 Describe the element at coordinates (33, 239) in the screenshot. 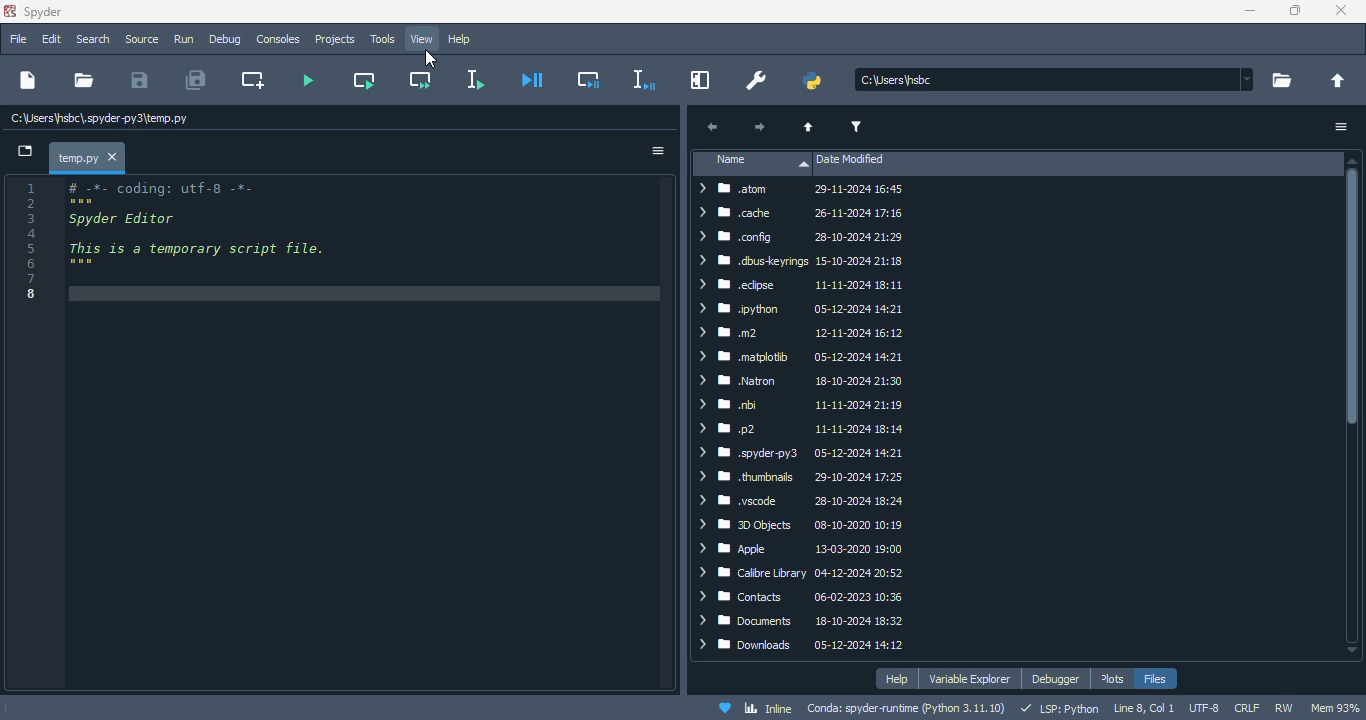

I see `line numbers` at that location.